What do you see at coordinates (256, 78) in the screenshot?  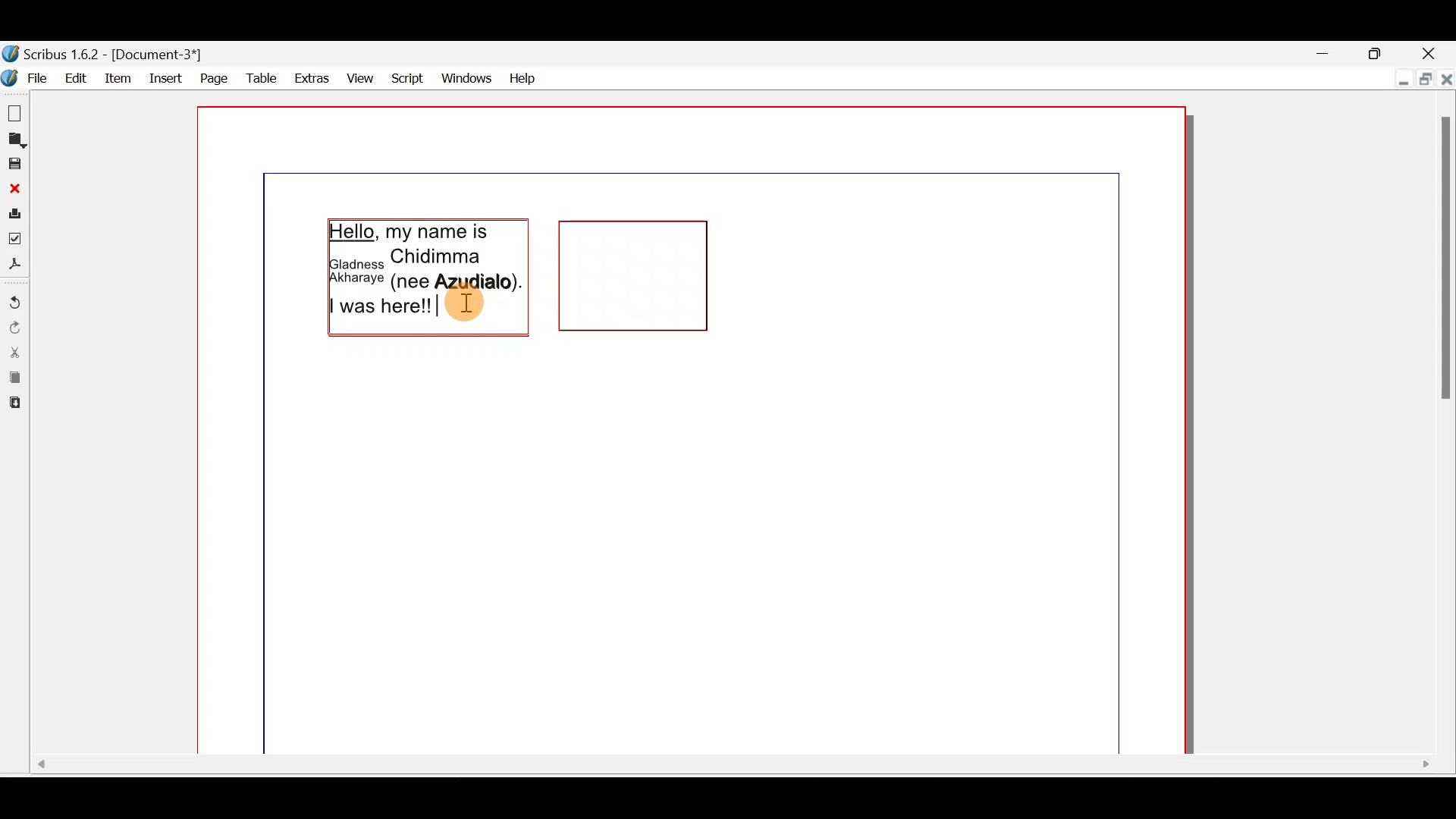 I see `Table` at bounding box center [256, 78].